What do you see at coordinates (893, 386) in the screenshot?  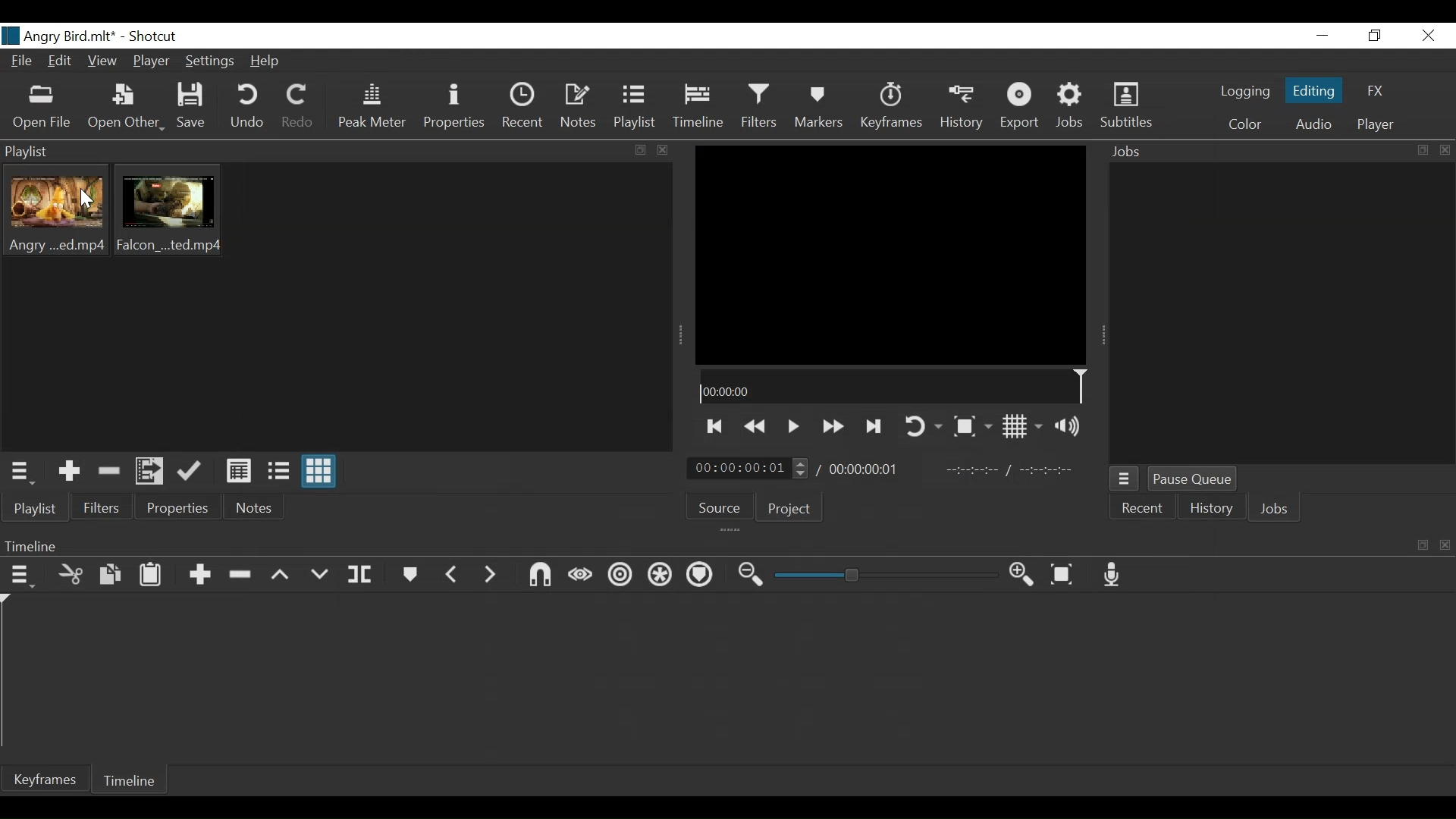 I see `Timeline` at bounding box center [893, 386].